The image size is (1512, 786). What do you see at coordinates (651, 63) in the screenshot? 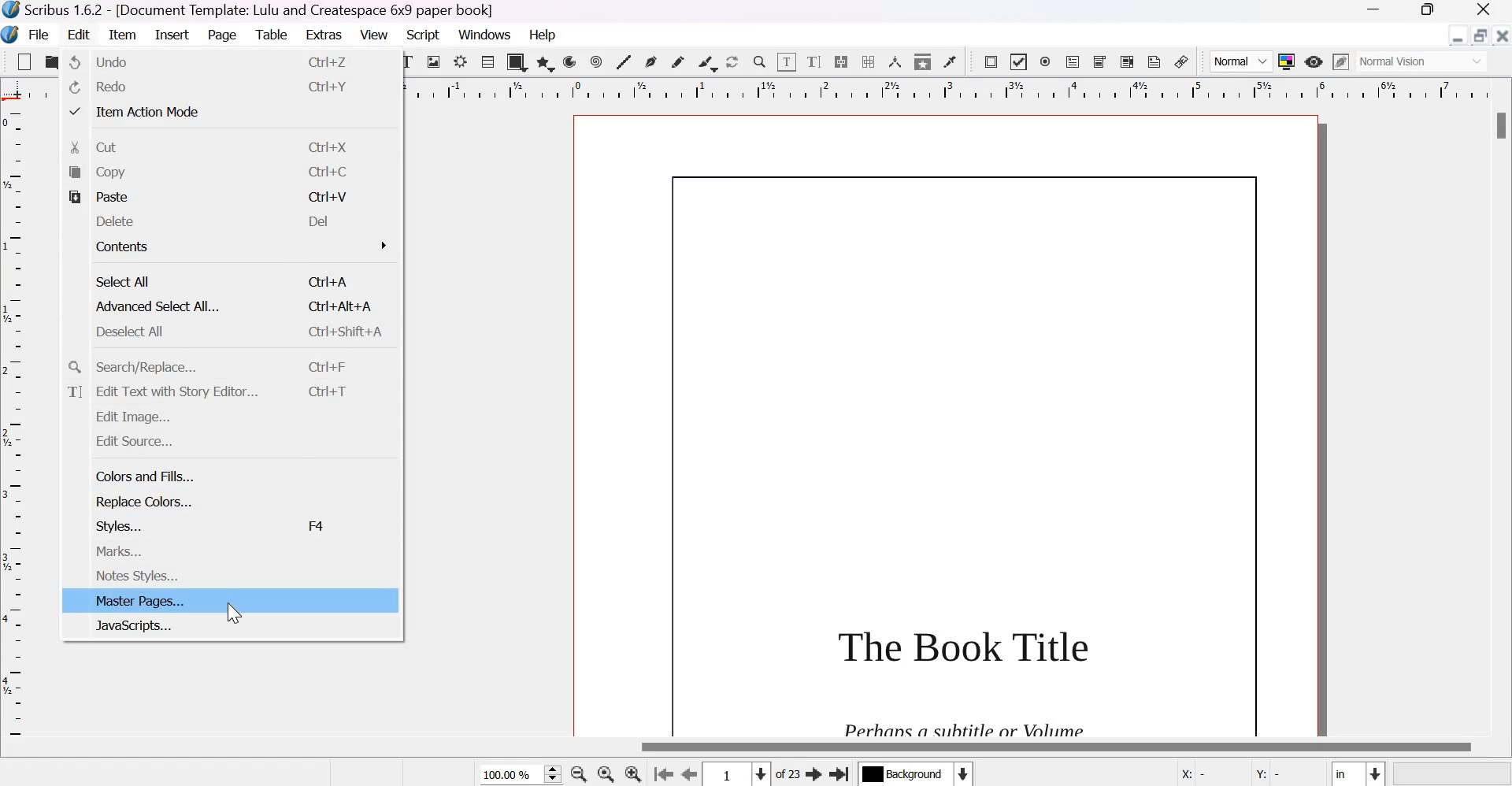
I see `Bezier curve` at bounding box center [651, 63].